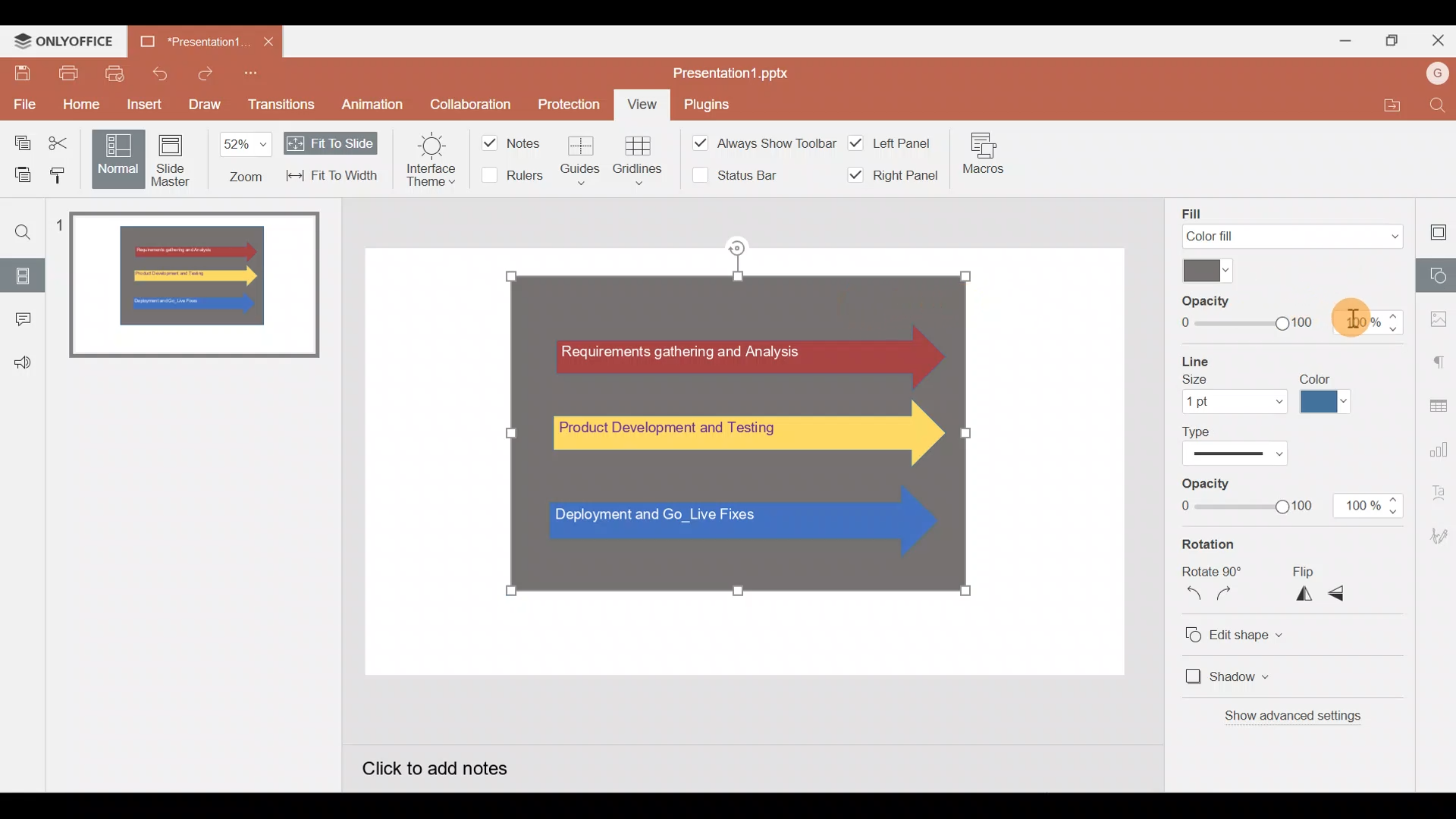 This screenshot has height=819, width=1456. Describe the element at coordinates (331, 142) in the screenshot. I see `Fit to slide` at that location.